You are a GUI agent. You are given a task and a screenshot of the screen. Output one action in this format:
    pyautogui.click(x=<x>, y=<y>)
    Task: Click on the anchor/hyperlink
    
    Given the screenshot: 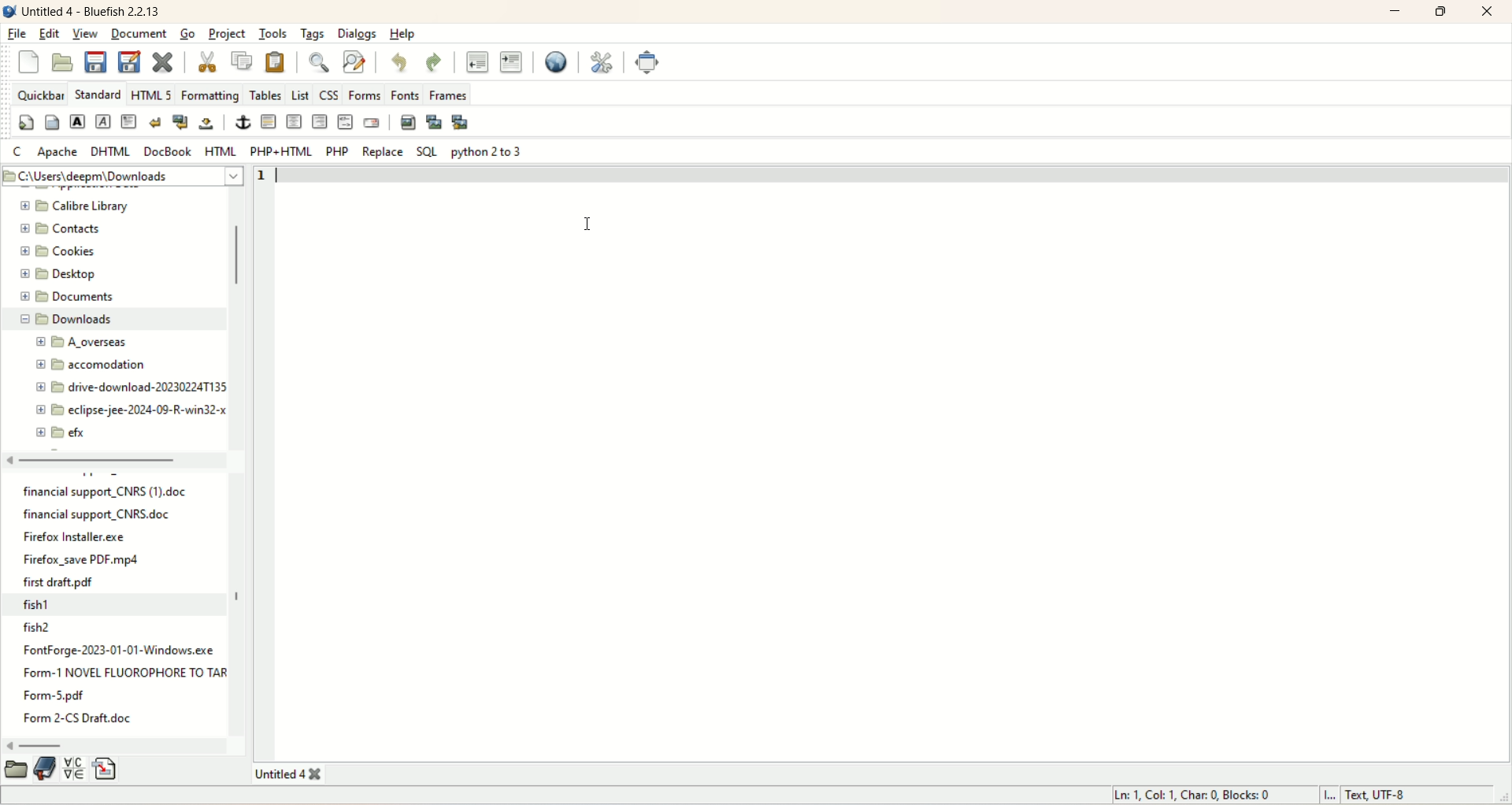 What is the action you would take?
    pyautogui.click(x=240, y=122)
    